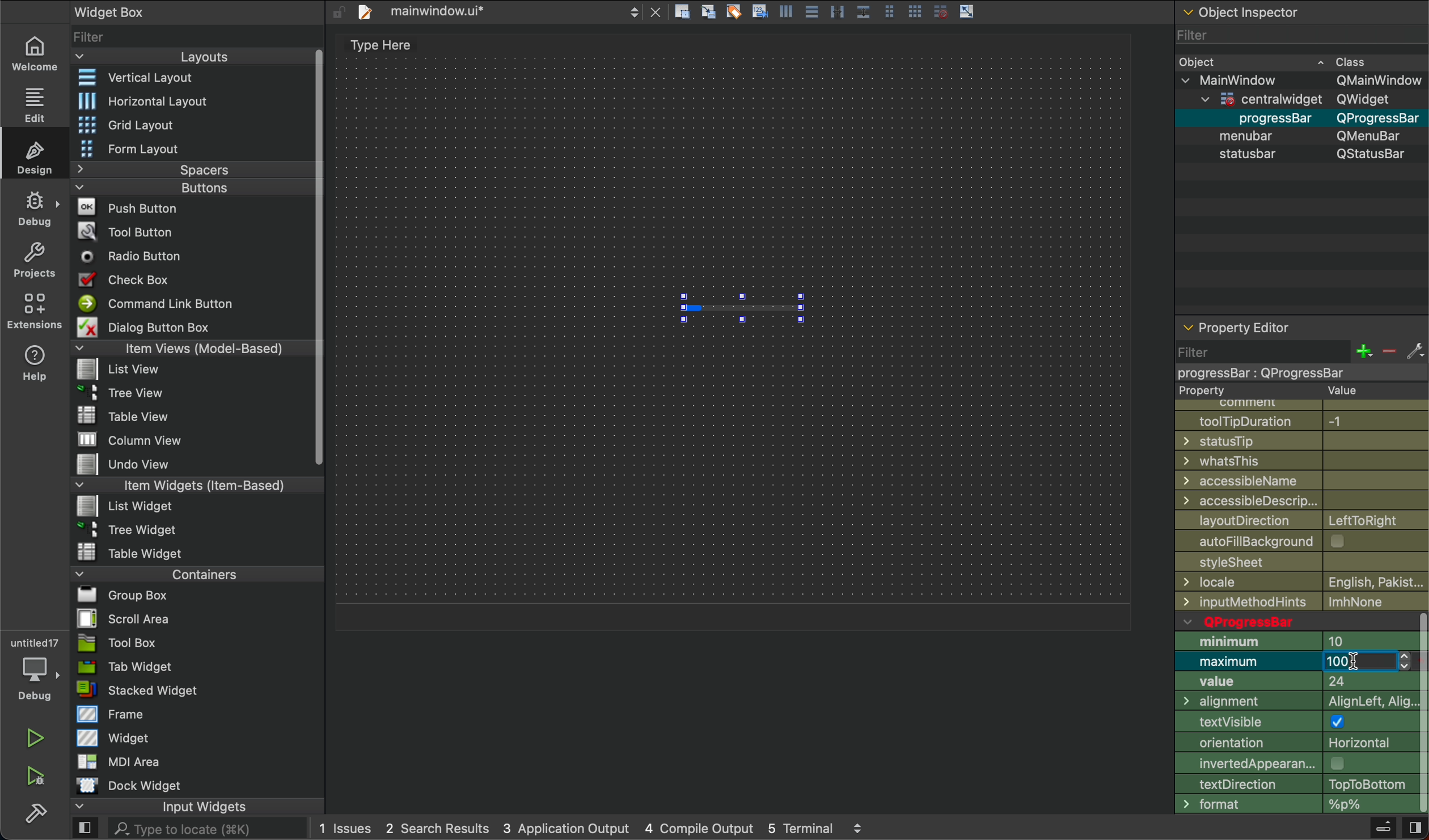  What do you see at coordinates (112, 714) in the screenshot?
I see `Frame` at bounding box center [112, 714].